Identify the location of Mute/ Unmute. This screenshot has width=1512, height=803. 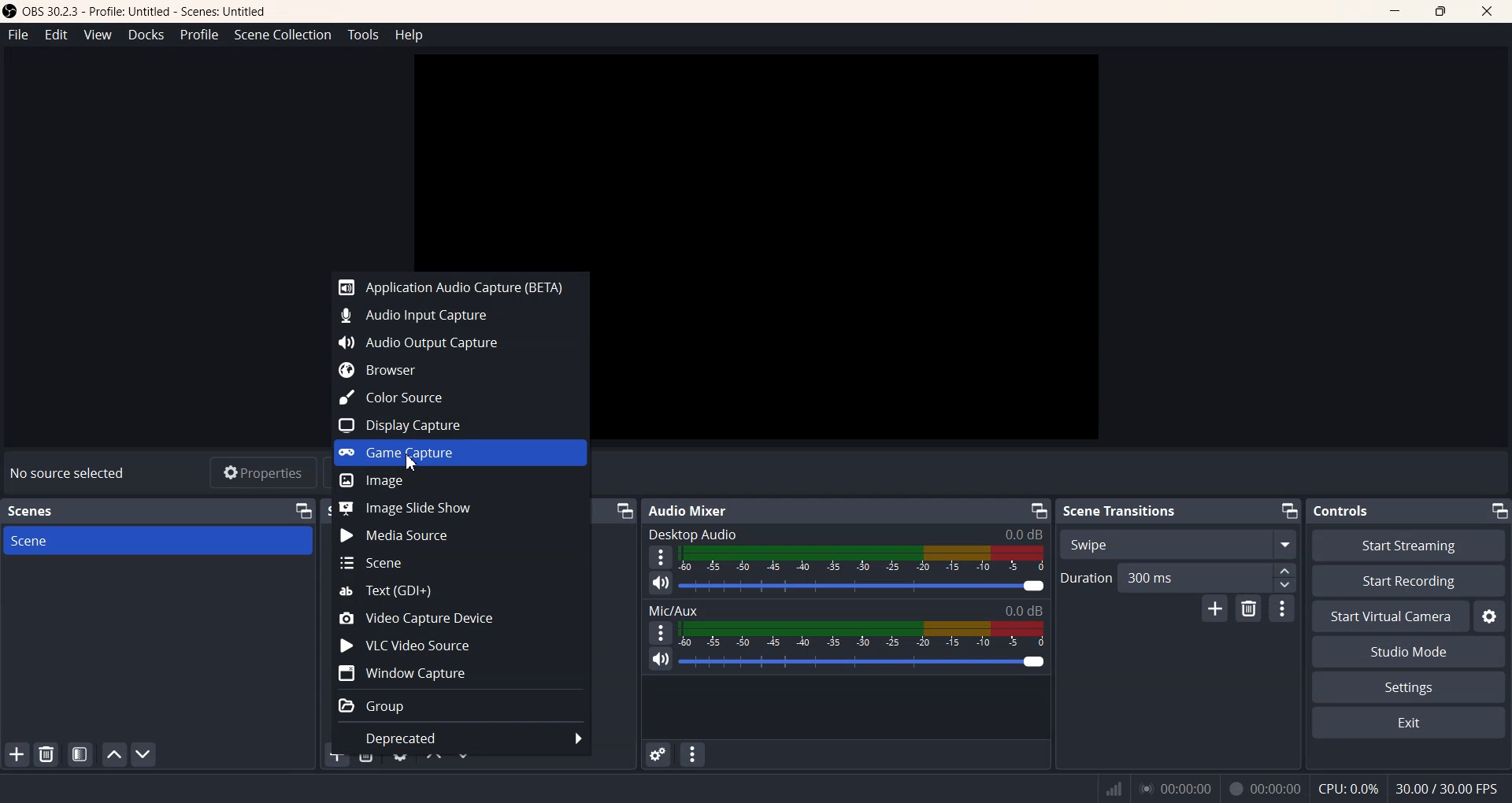
(661, 583).